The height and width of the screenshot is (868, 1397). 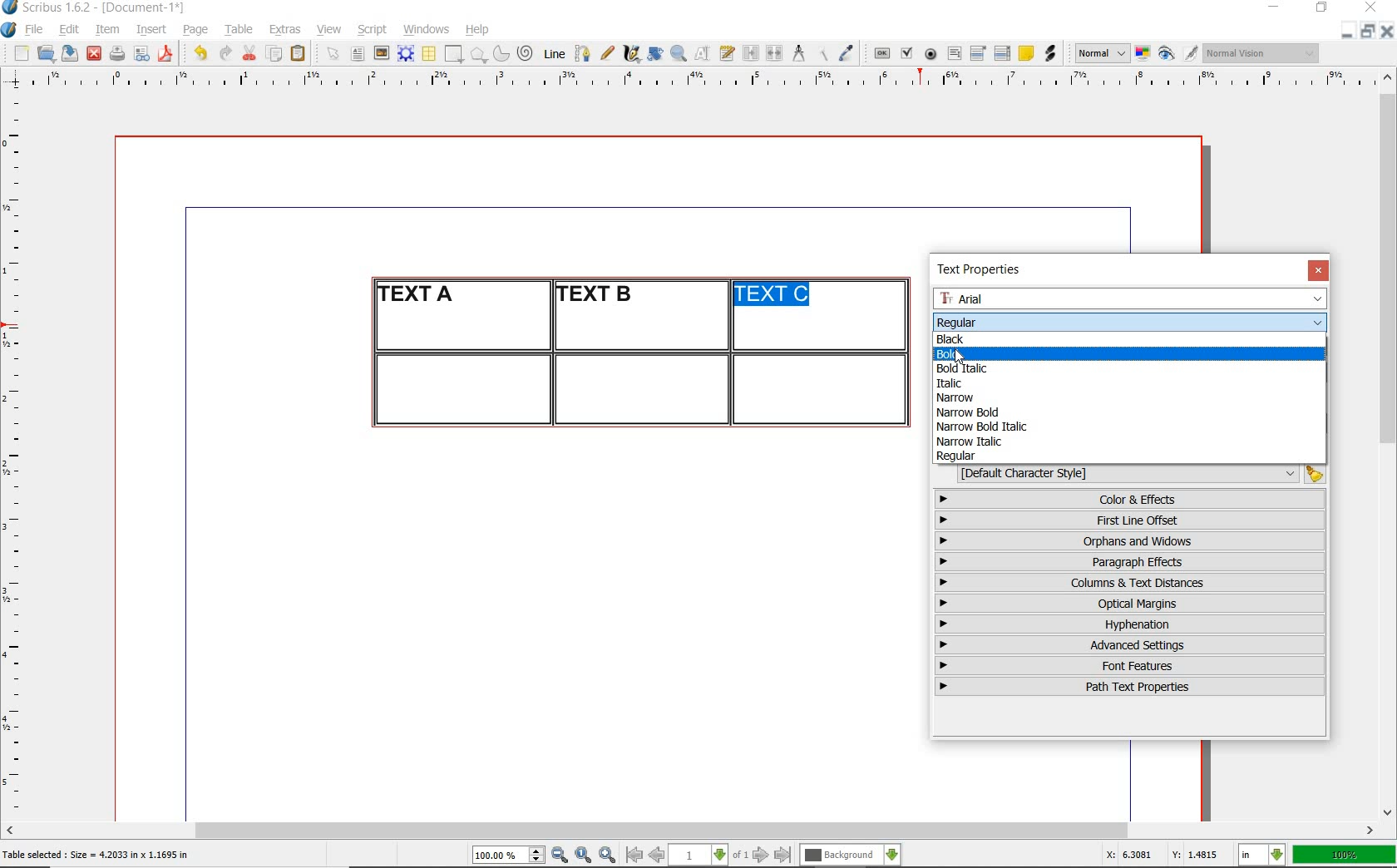 What do you see at coordinates (783, 856) in the screenshot?
I see `go to last page` at bounding box center [783, 856].